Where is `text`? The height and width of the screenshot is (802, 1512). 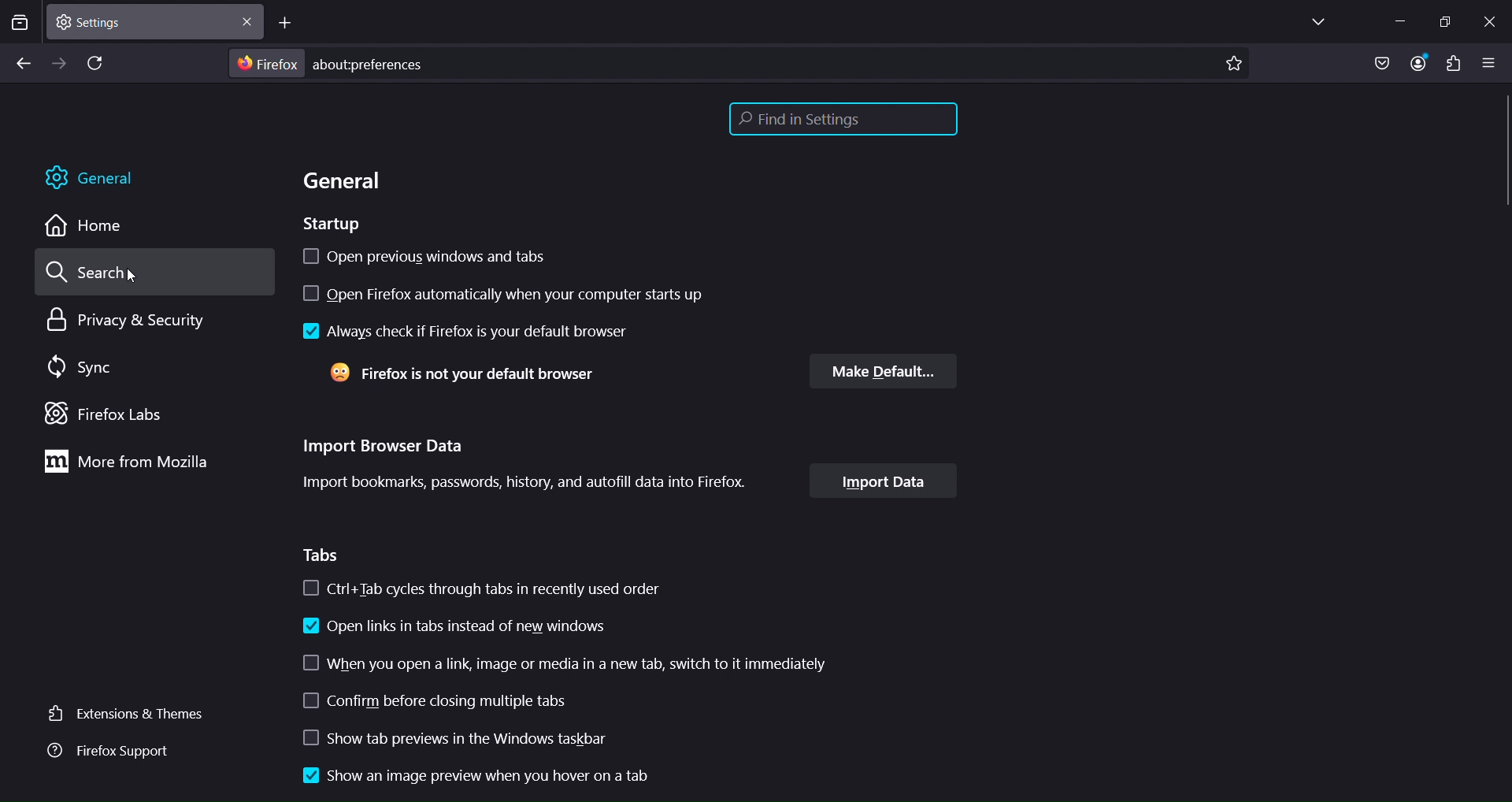 text is located at coordinates (460, 377).